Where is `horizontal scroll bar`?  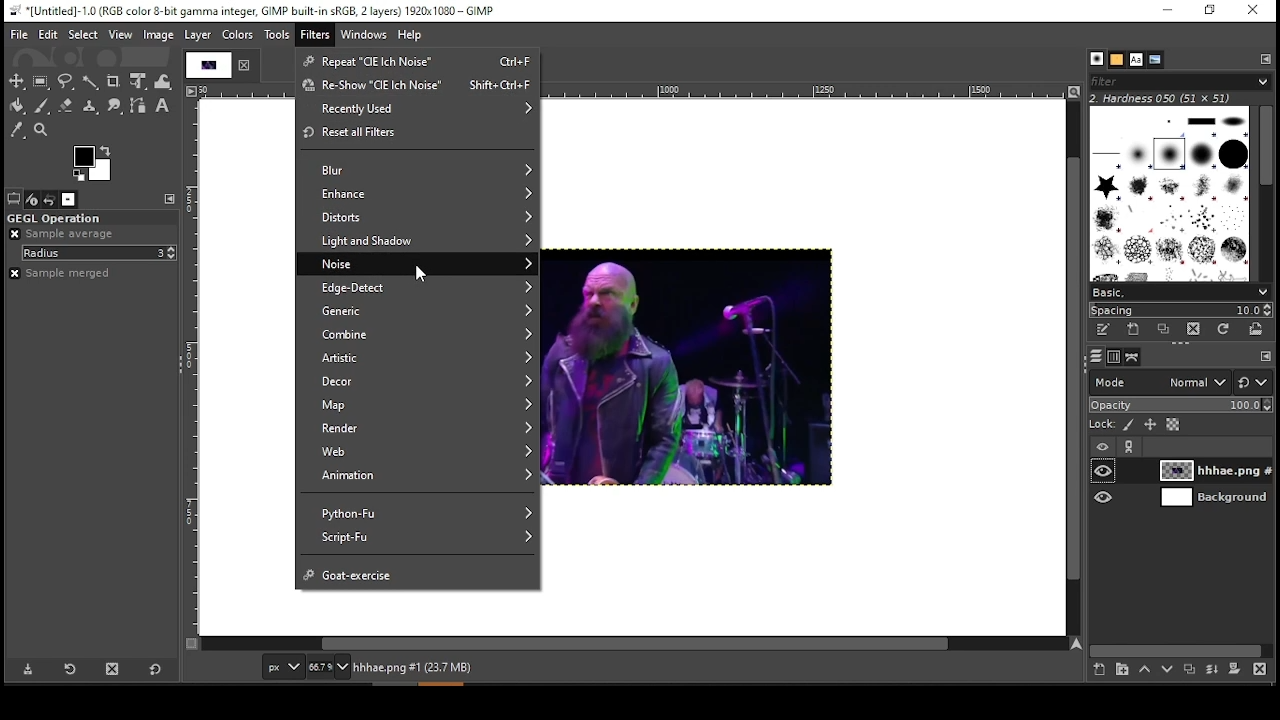 horizontal scroll bar is located at coordinates (634, 645).